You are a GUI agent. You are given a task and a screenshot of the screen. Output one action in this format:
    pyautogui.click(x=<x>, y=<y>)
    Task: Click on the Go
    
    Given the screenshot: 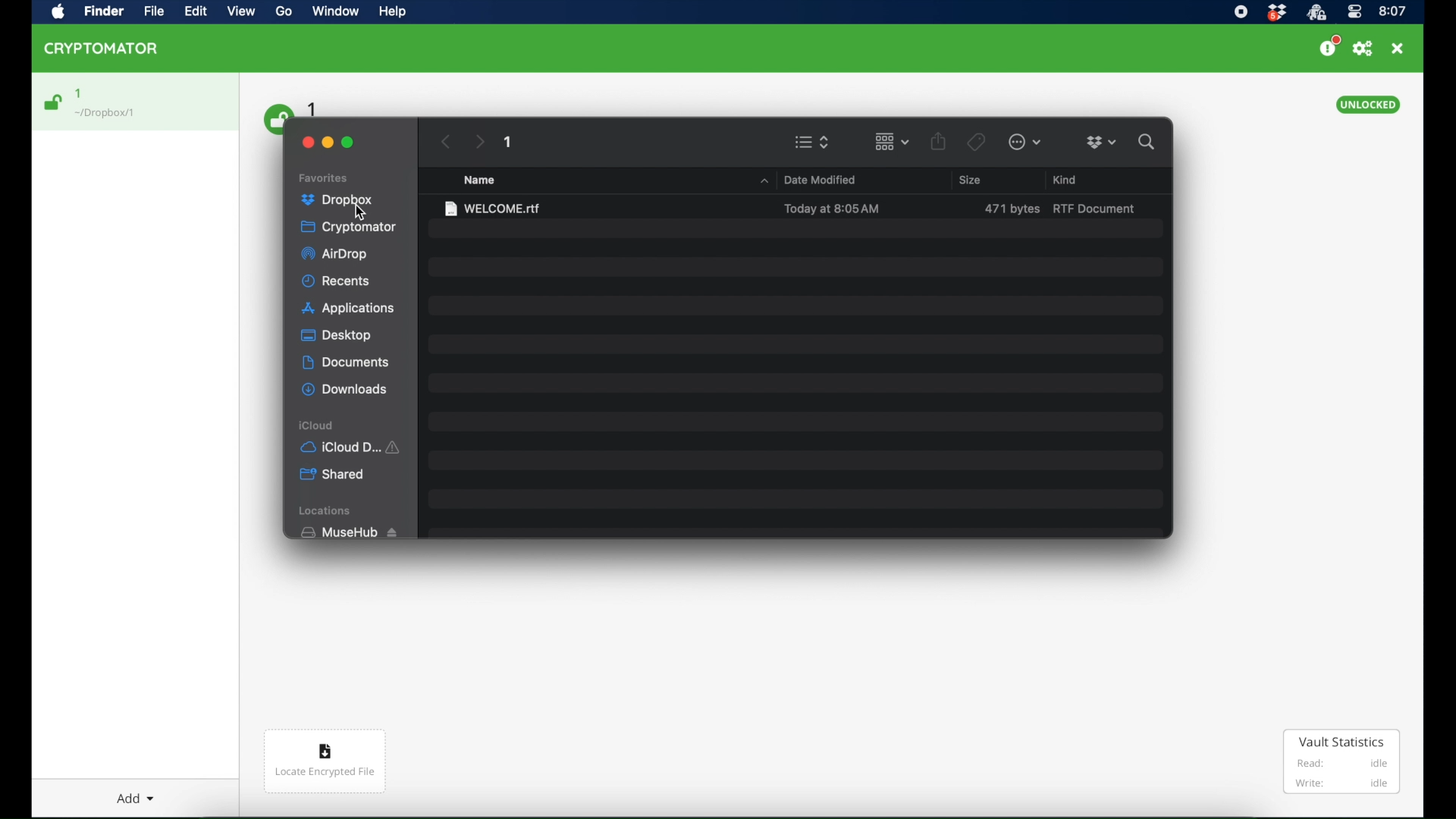 What is the action you would take?
    pyautogui.click(x=289, y=15)
    